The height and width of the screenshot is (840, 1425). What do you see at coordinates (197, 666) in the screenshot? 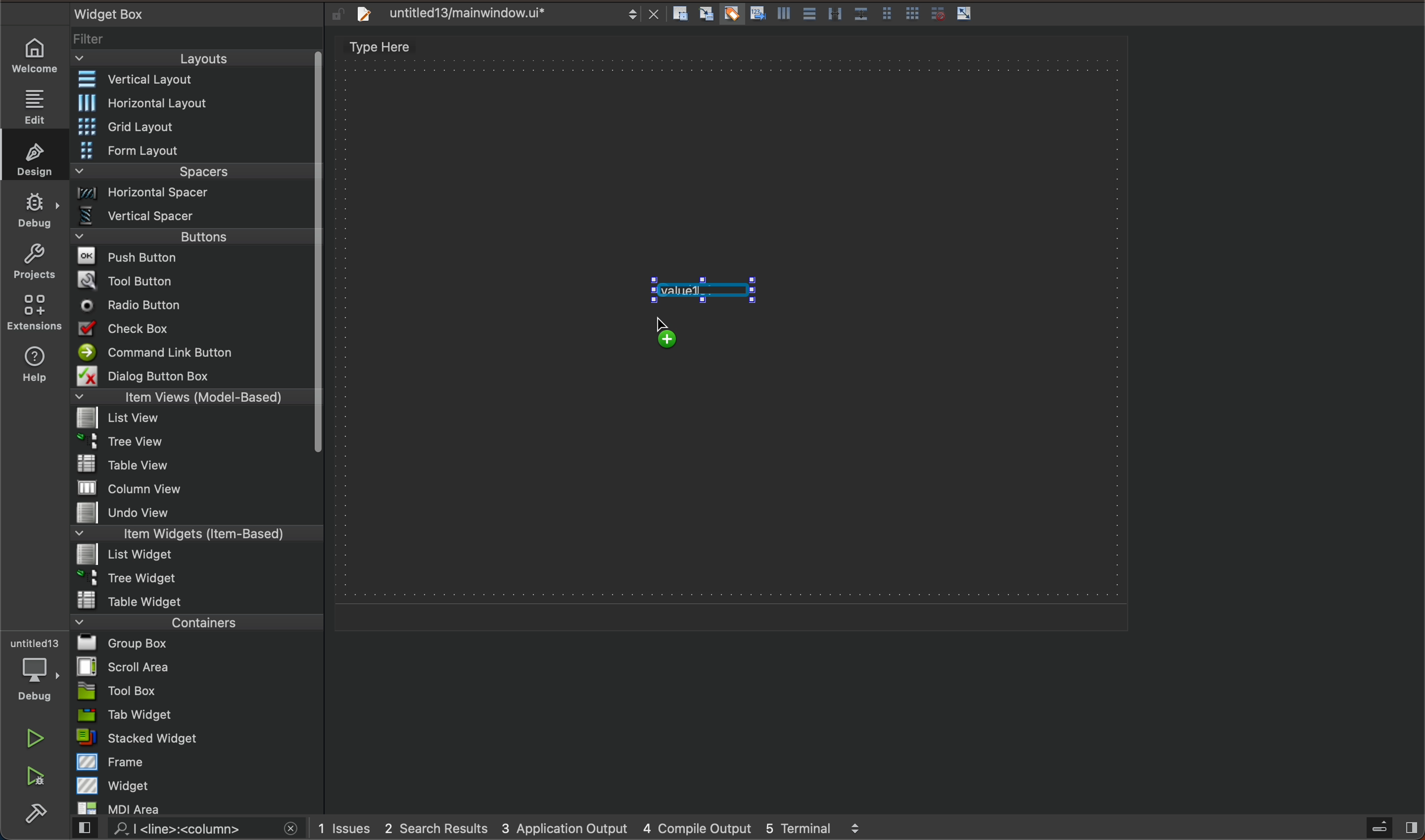
I see `scroll area` at bounding box center [197, 666].